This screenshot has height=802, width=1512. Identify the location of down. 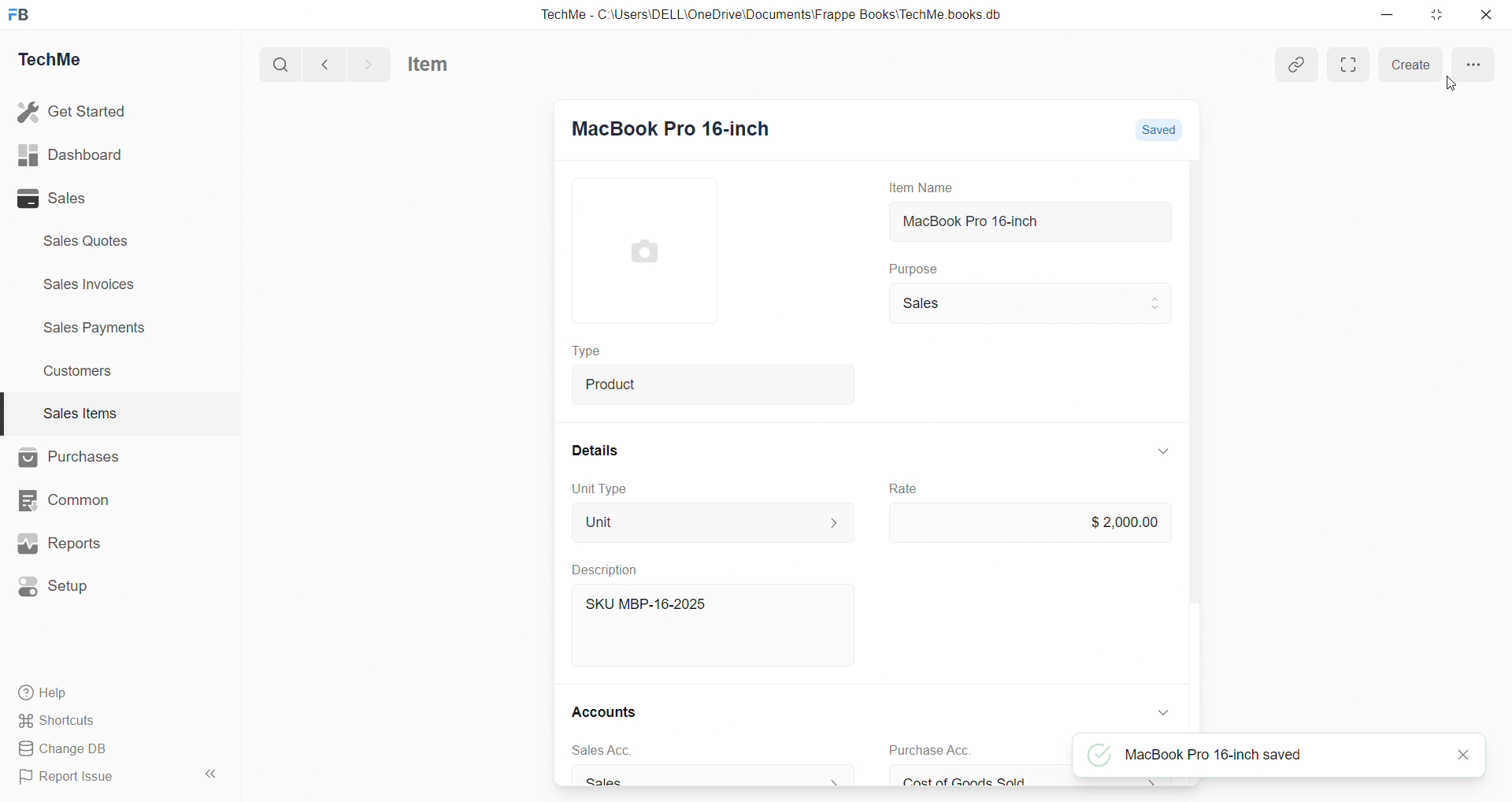
(1162, 452).